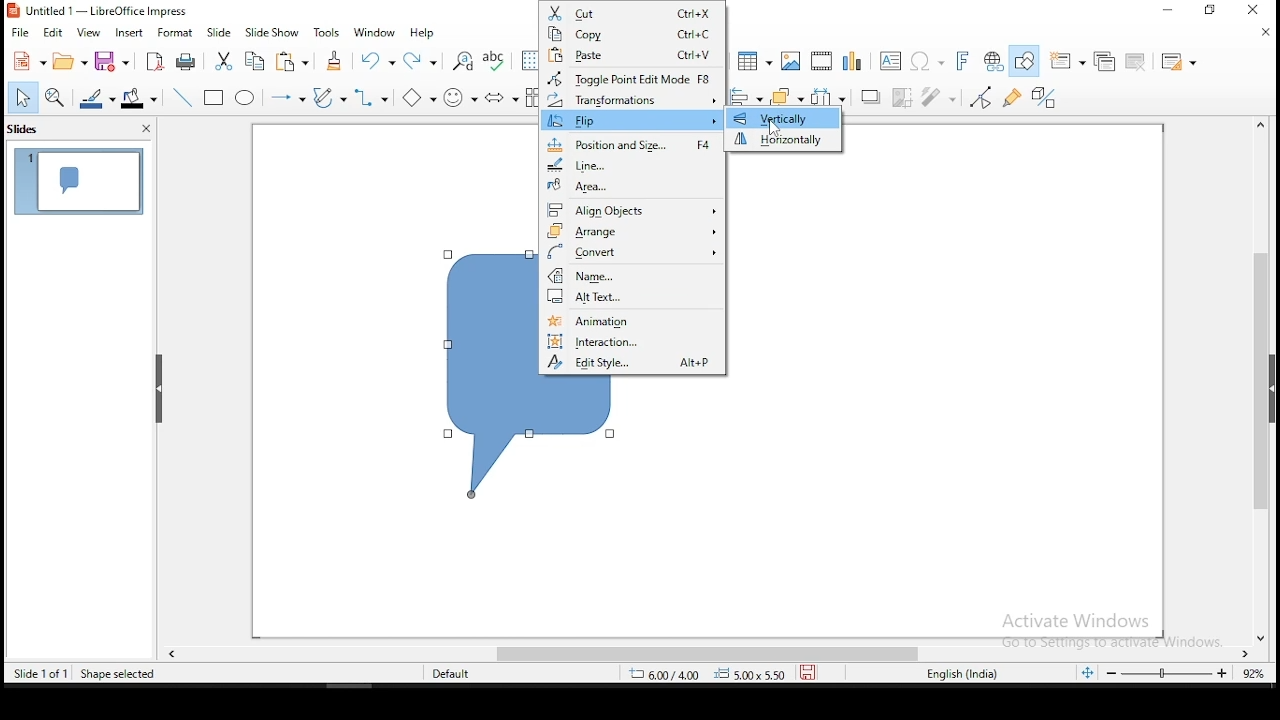 This screenshot has width=1280, height=720. I want to click on copy, so click(258, 60).